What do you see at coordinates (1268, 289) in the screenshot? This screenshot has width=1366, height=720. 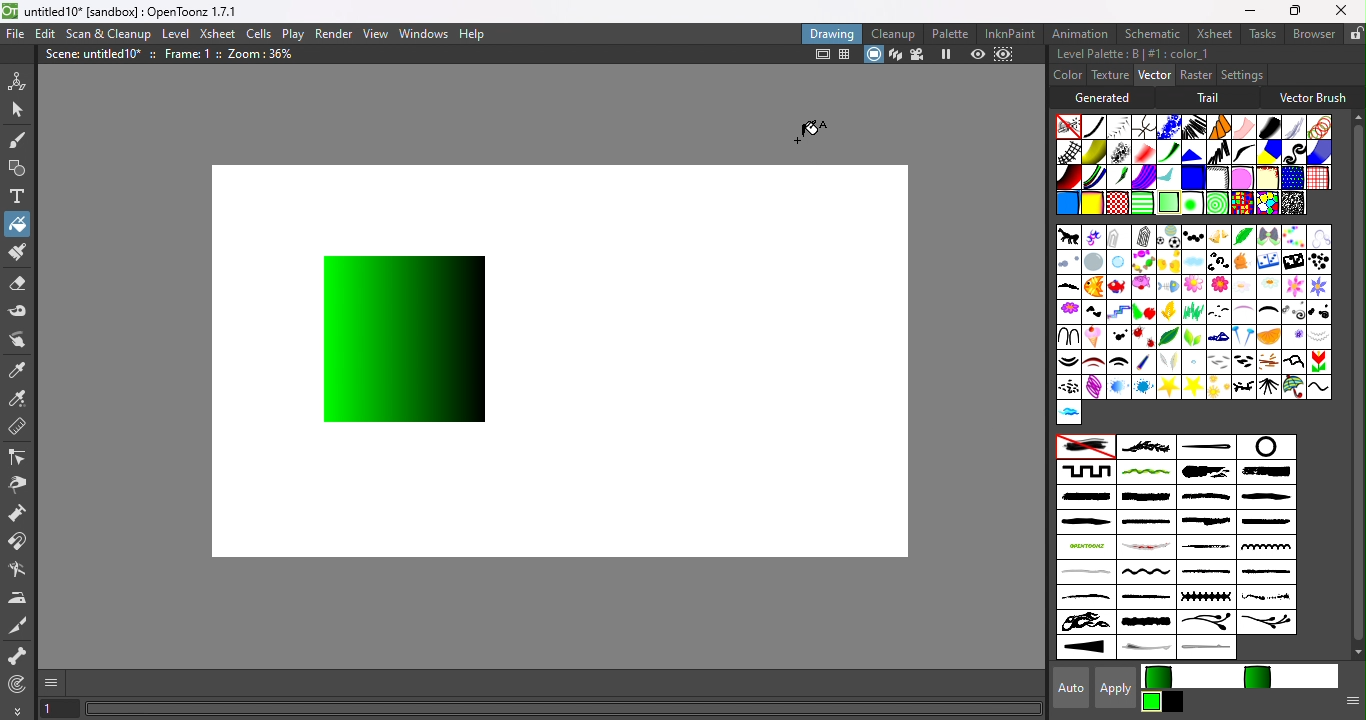 I see `flow3` at bounding box center [1268, 289].